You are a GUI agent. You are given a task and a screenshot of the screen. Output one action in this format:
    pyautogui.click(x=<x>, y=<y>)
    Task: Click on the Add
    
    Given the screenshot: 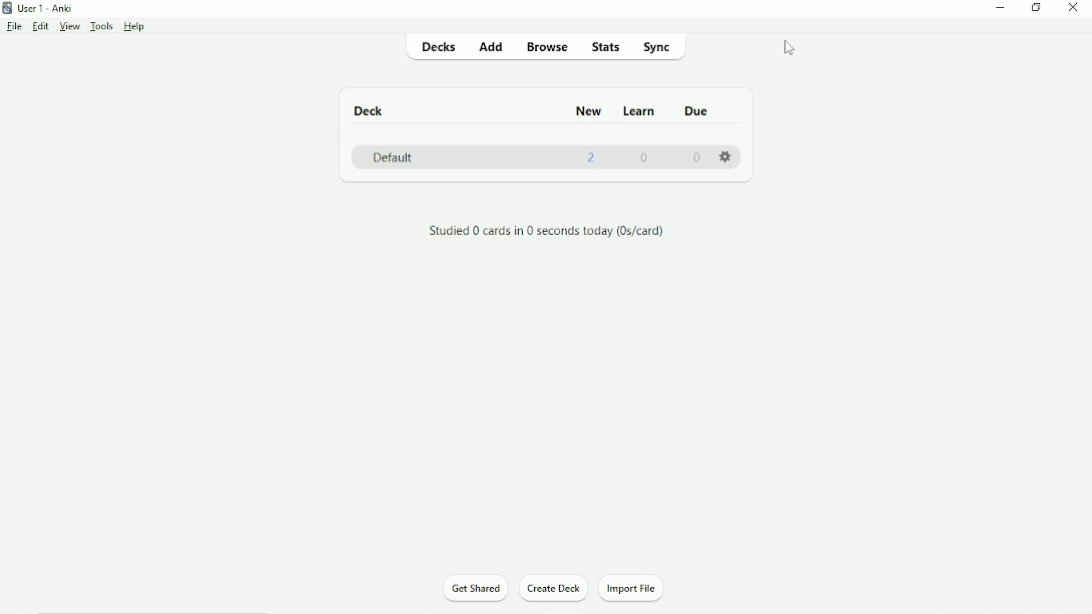 What is the action you would take?
    pyautogui.click(x=491, y=48)
    